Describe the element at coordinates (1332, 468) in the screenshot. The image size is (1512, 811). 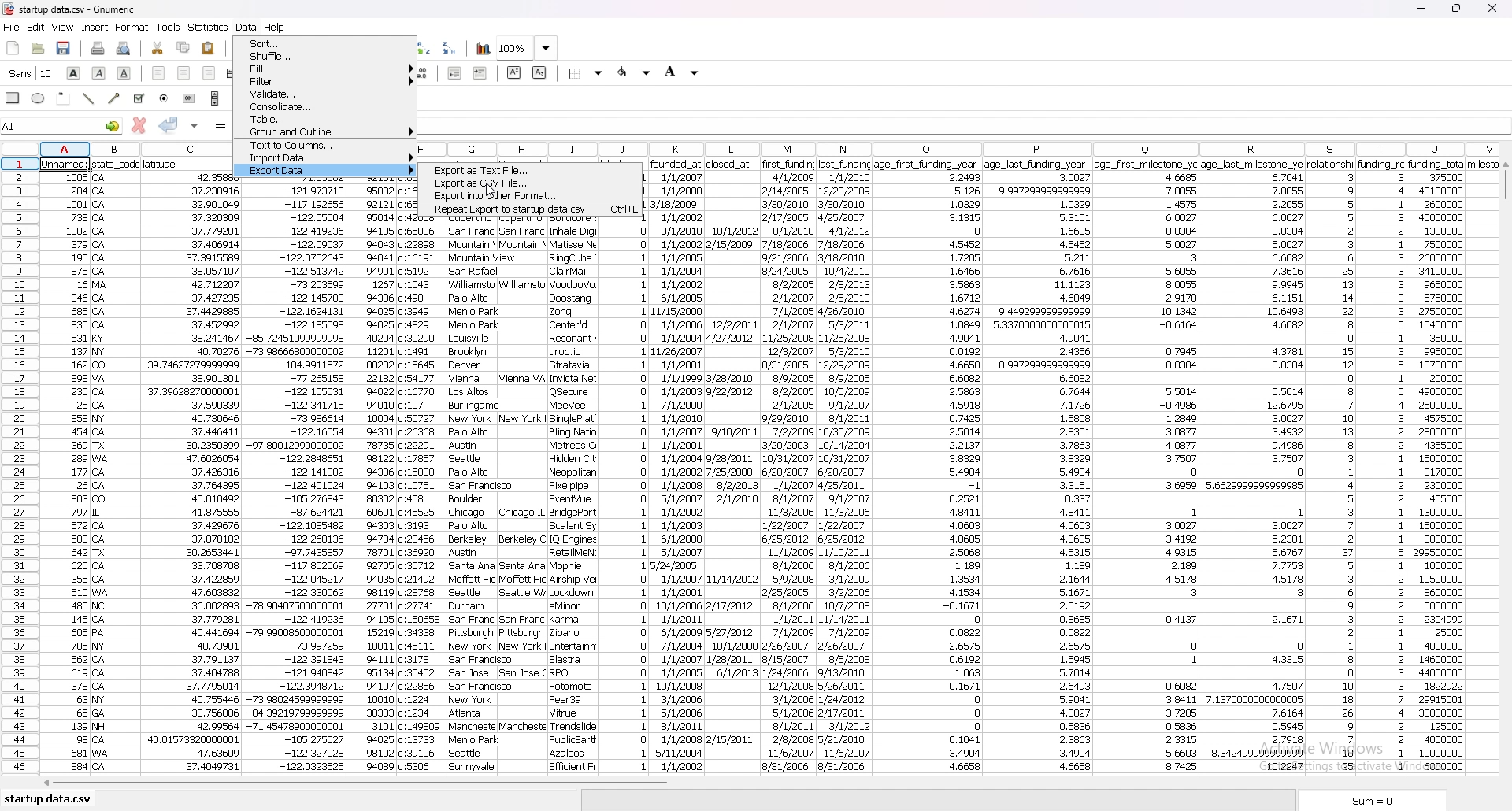
I see `data` at that location.